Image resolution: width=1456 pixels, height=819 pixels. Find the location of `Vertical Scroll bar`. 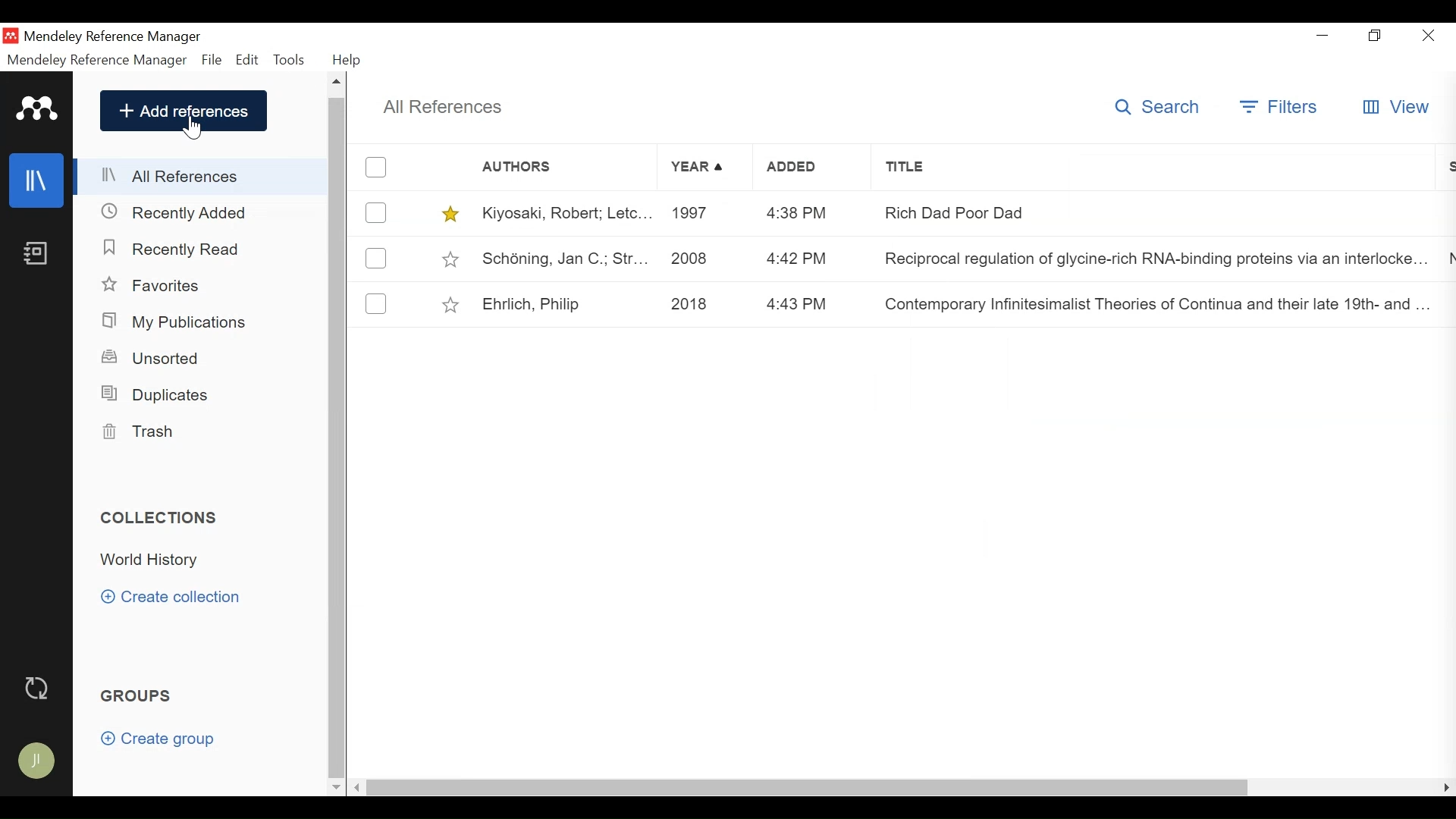

Vertical Scroll bar is located at coordinates (338, 436).